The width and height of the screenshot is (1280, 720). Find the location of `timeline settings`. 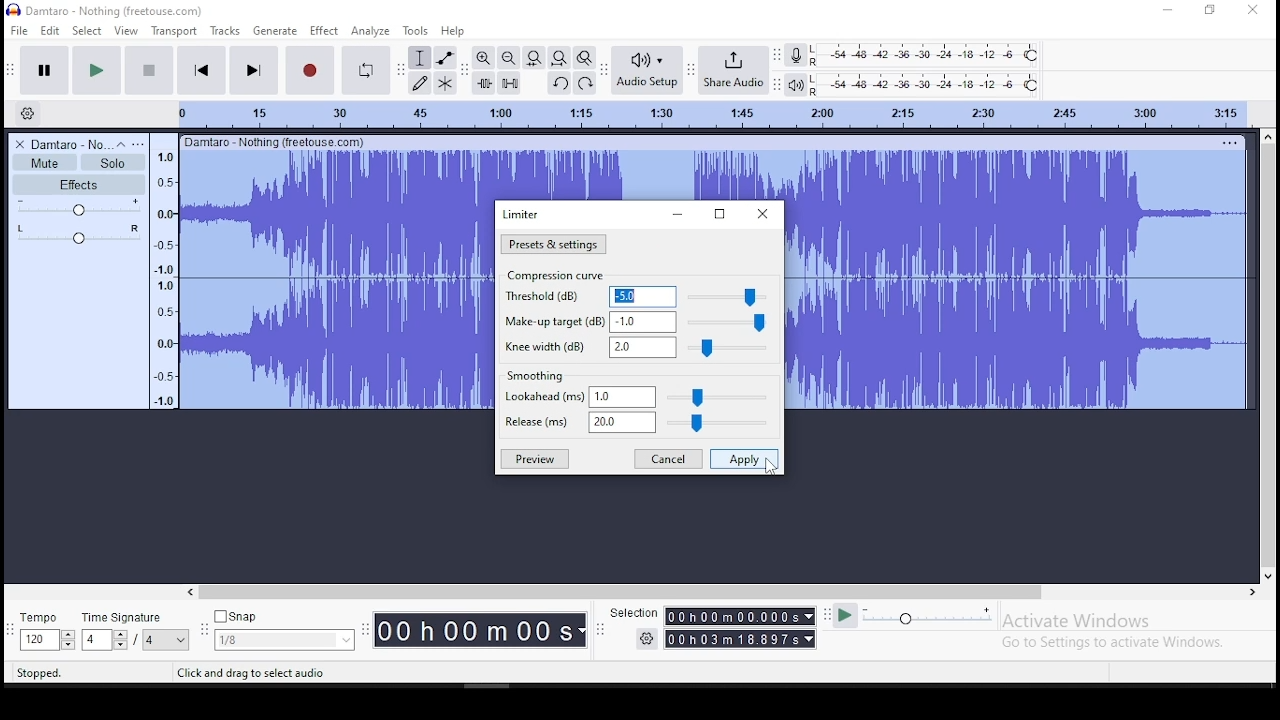

timeline settings is located at coordinates (28, 113).